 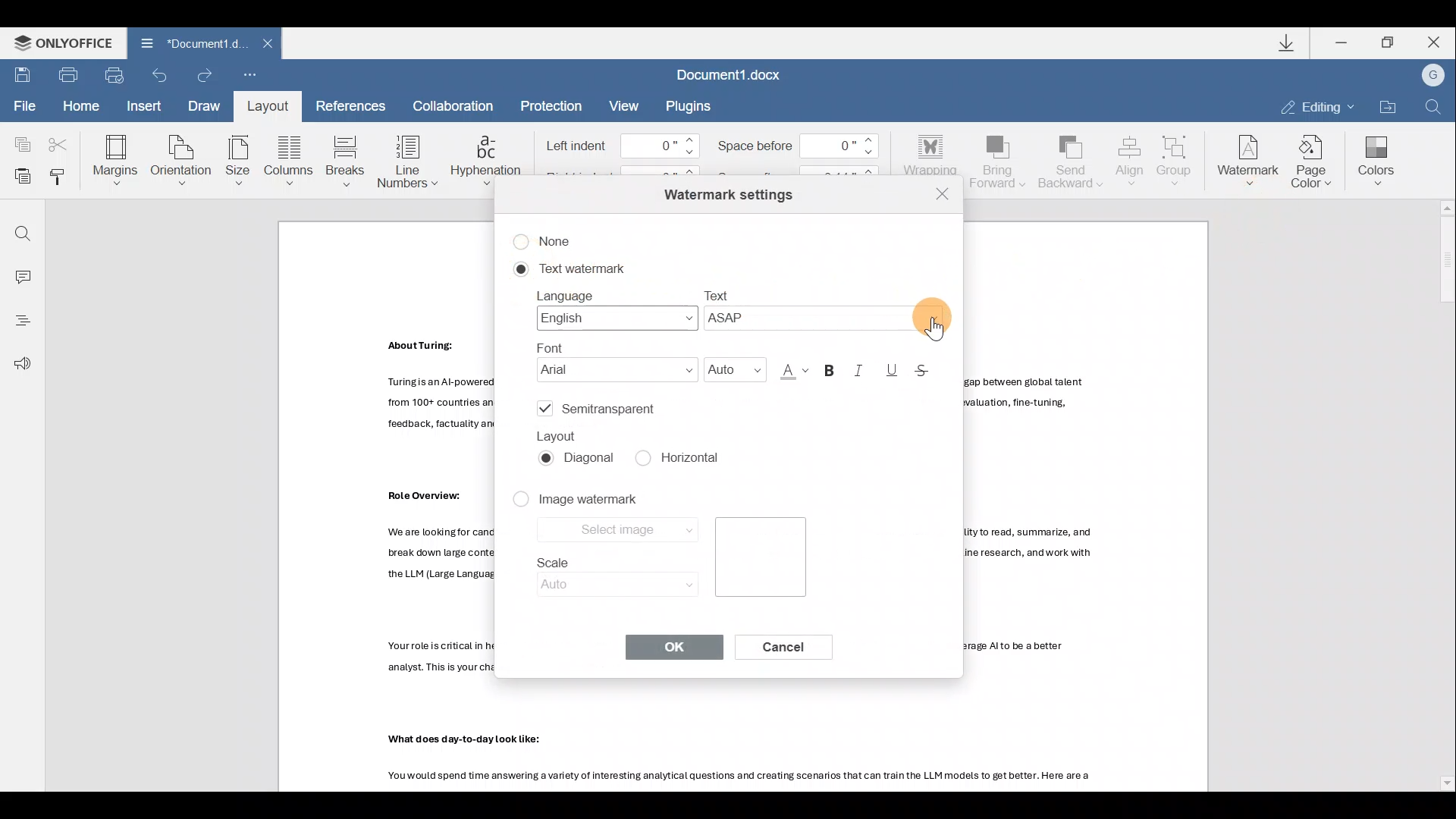 I want to click on , so click(x=424, y=495).